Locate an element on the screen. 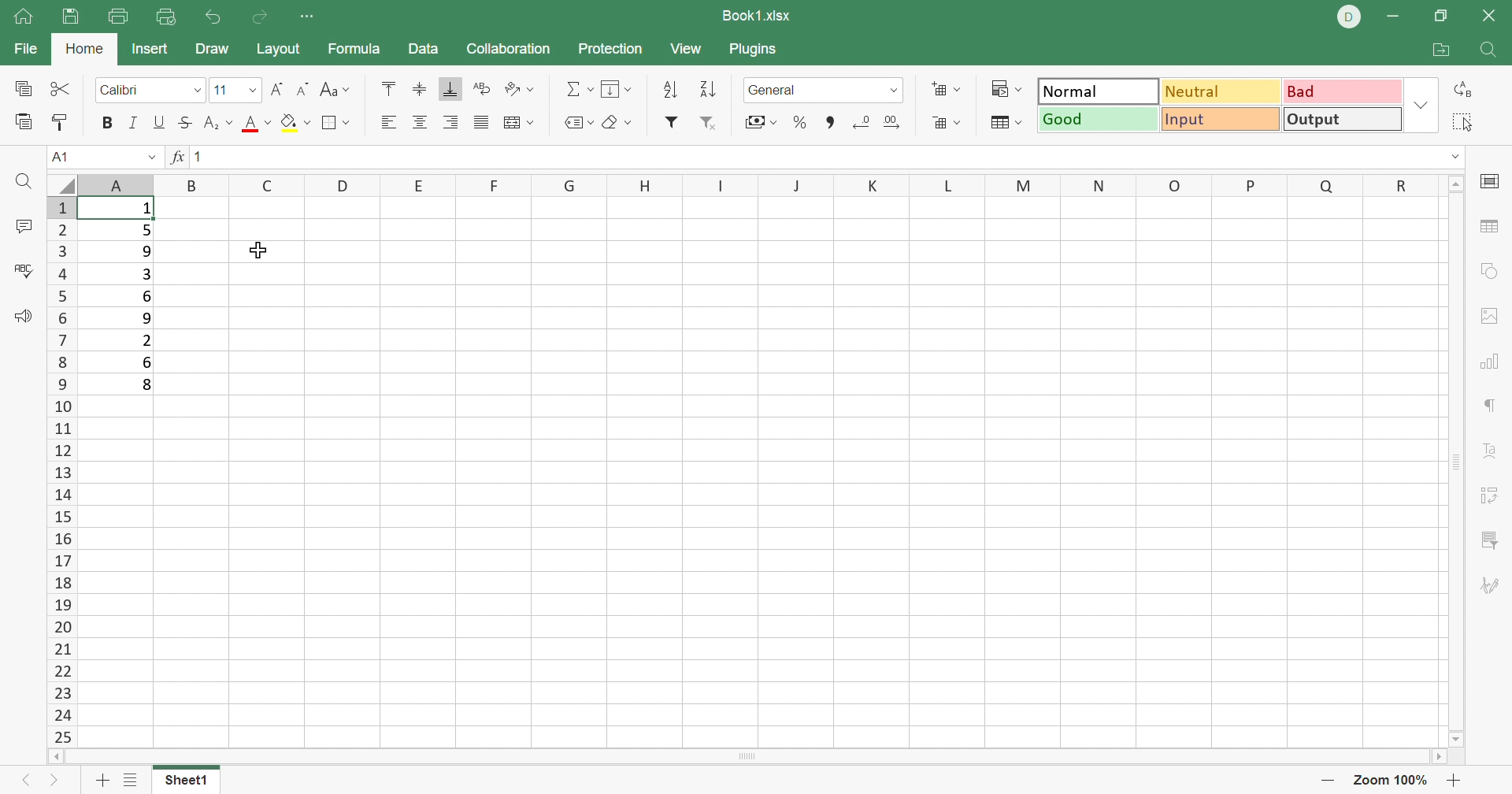  number format is located at coordinates (776, 91).